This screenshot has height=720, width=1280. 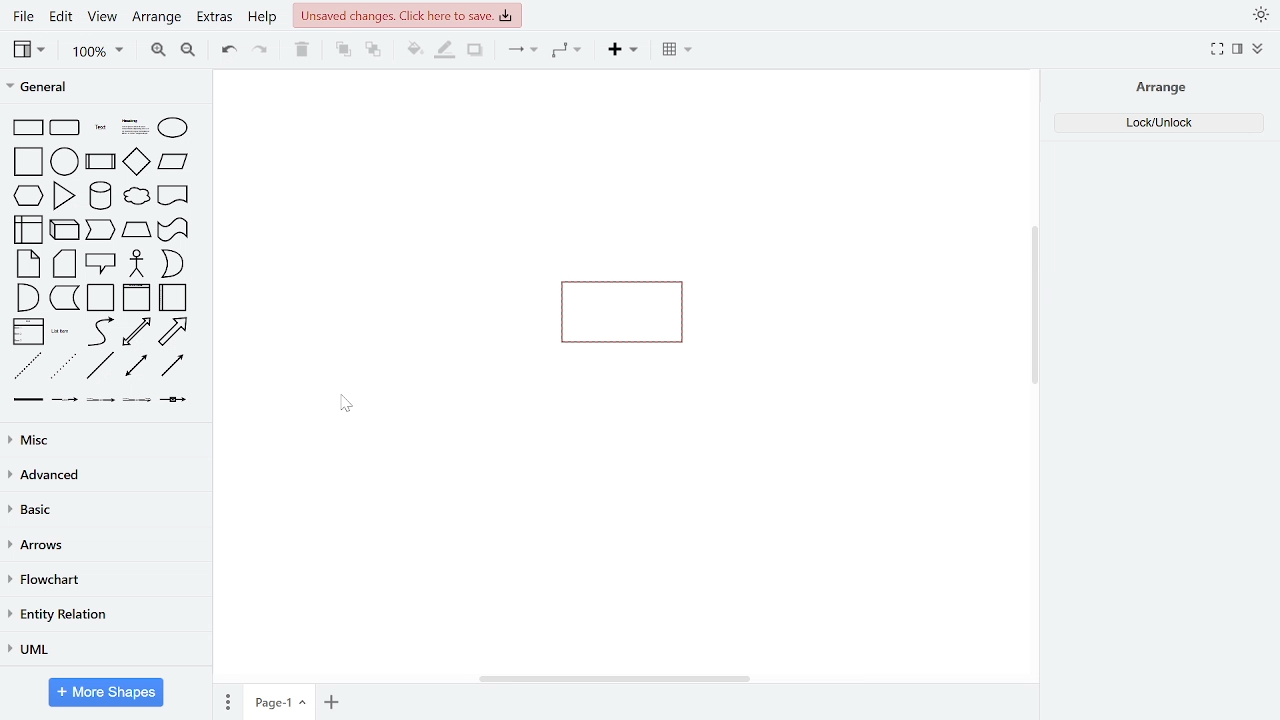 What do you see at coordinates (1154, 122) in the screenshot?
I see `Lock/Unlock` at bounding box center [1154, 122].